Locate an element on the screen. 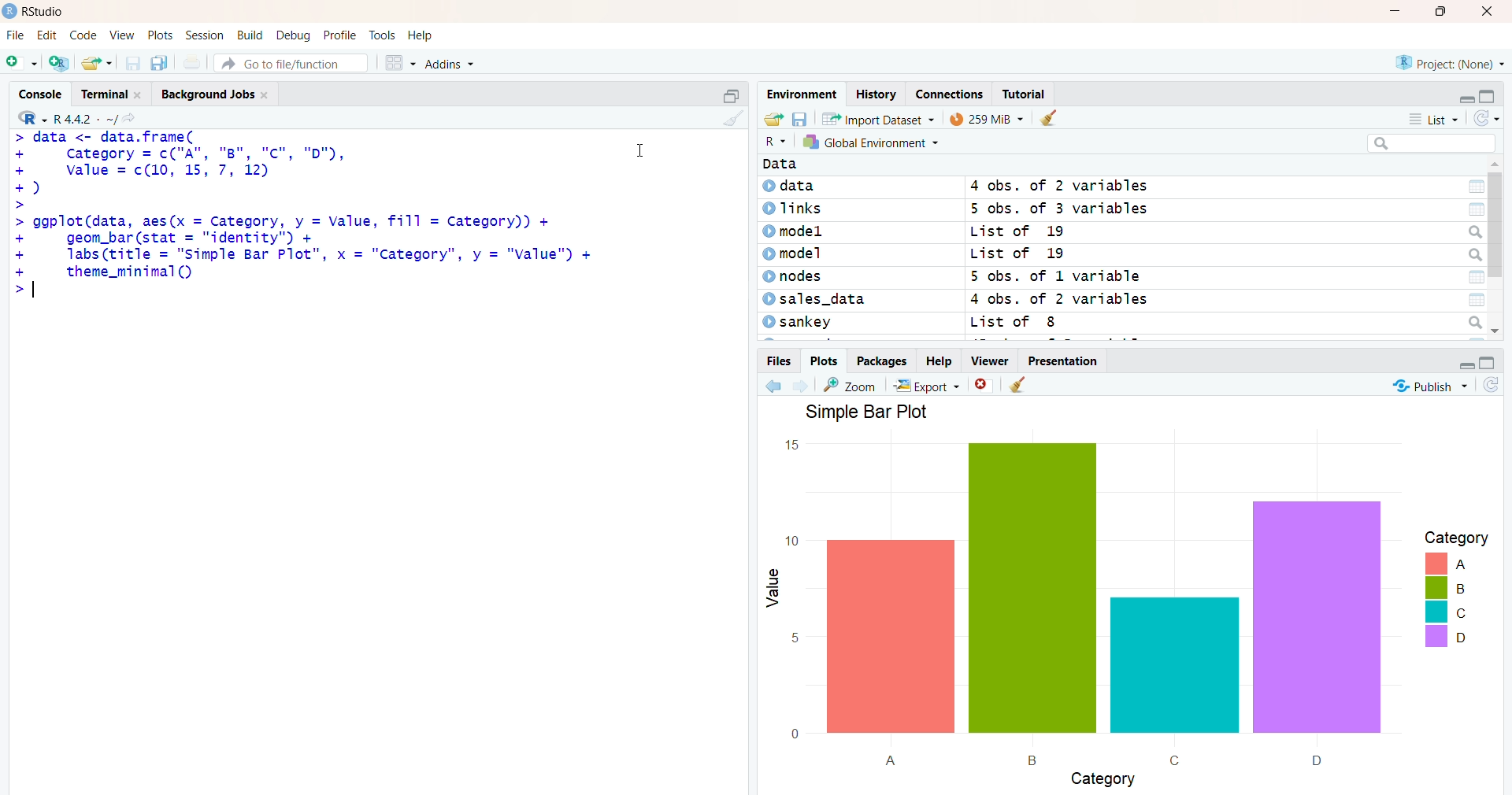  Background Jobs is located at coordinates (214, 91).